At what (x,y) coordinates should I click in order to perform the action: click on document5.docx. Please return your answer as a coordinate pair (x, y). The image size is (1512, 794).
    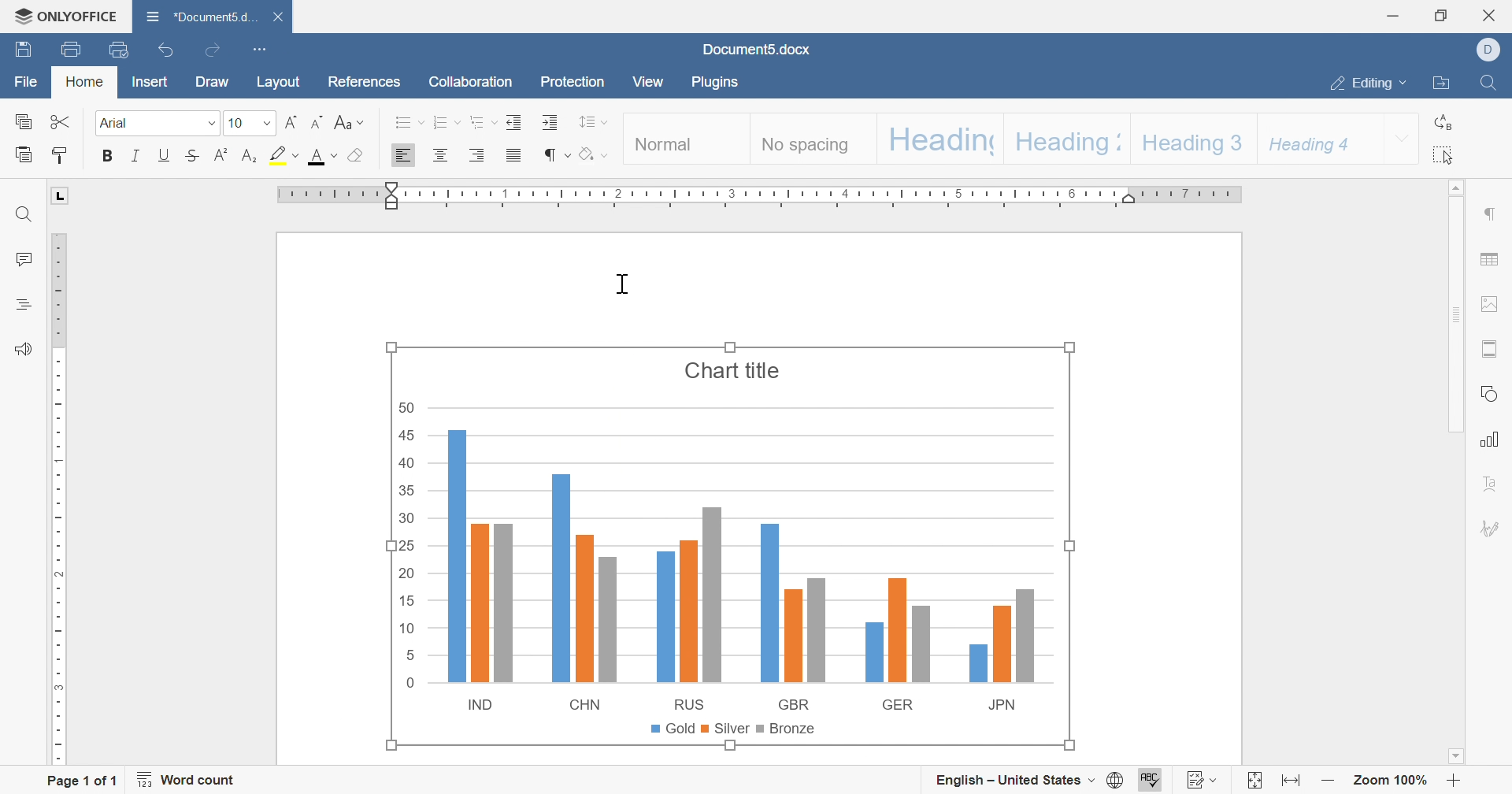
    Looking at the image, I should click on (755, 49).